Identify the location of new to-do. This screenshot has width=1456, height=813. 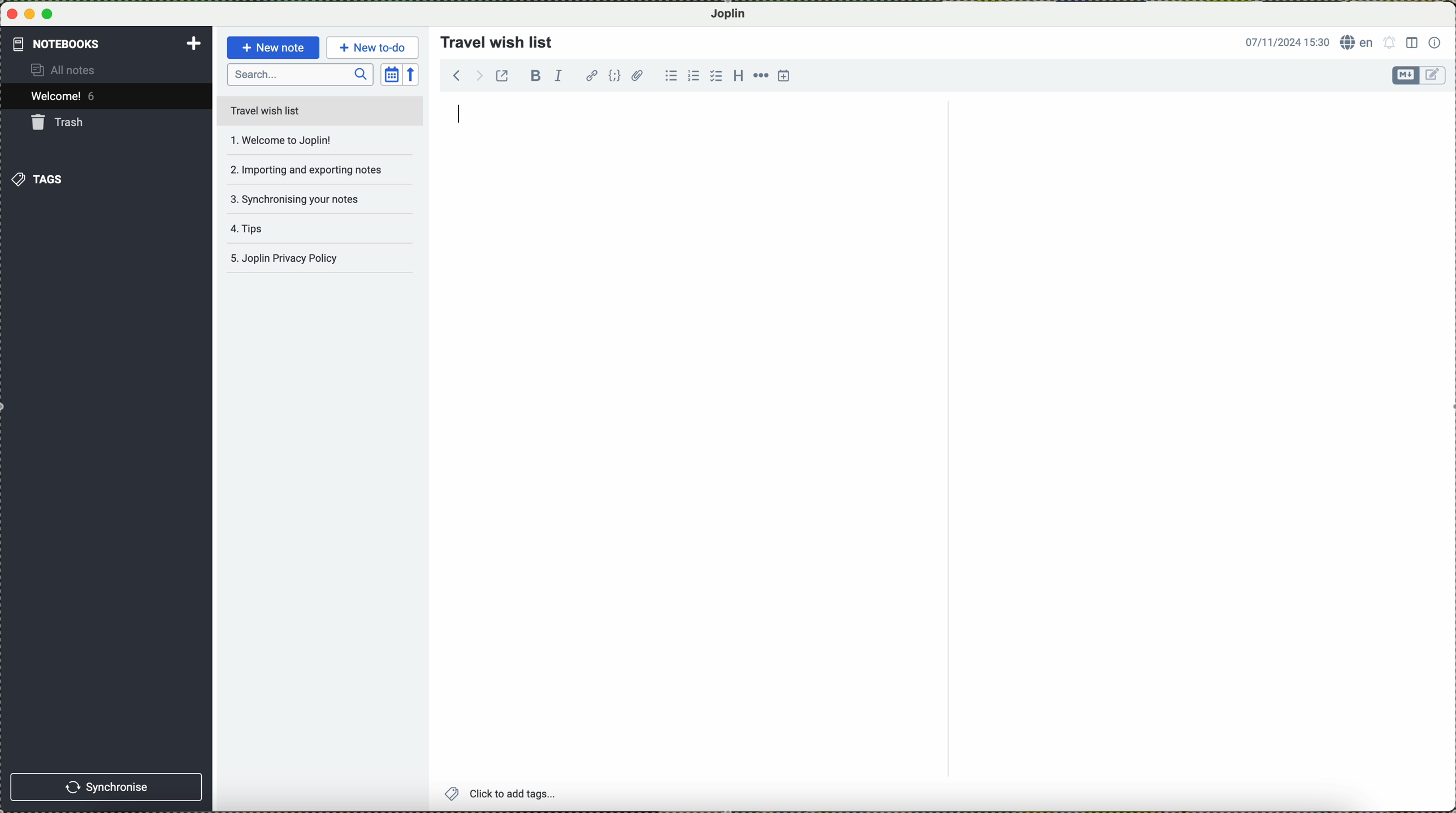
(372, 46).